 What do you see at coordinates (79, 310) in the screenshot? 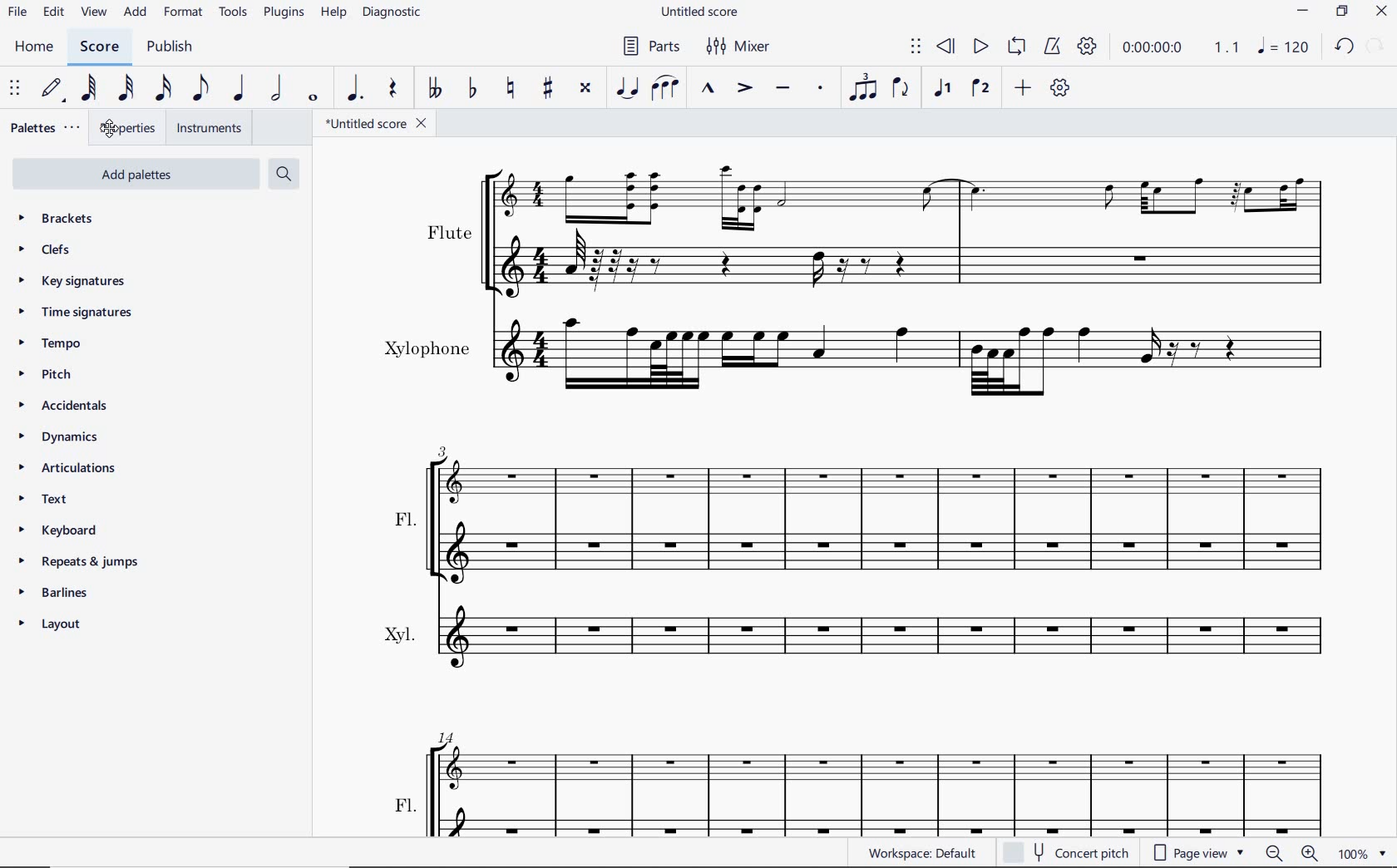
I see `time signatures` at bounding box center [79, 310].